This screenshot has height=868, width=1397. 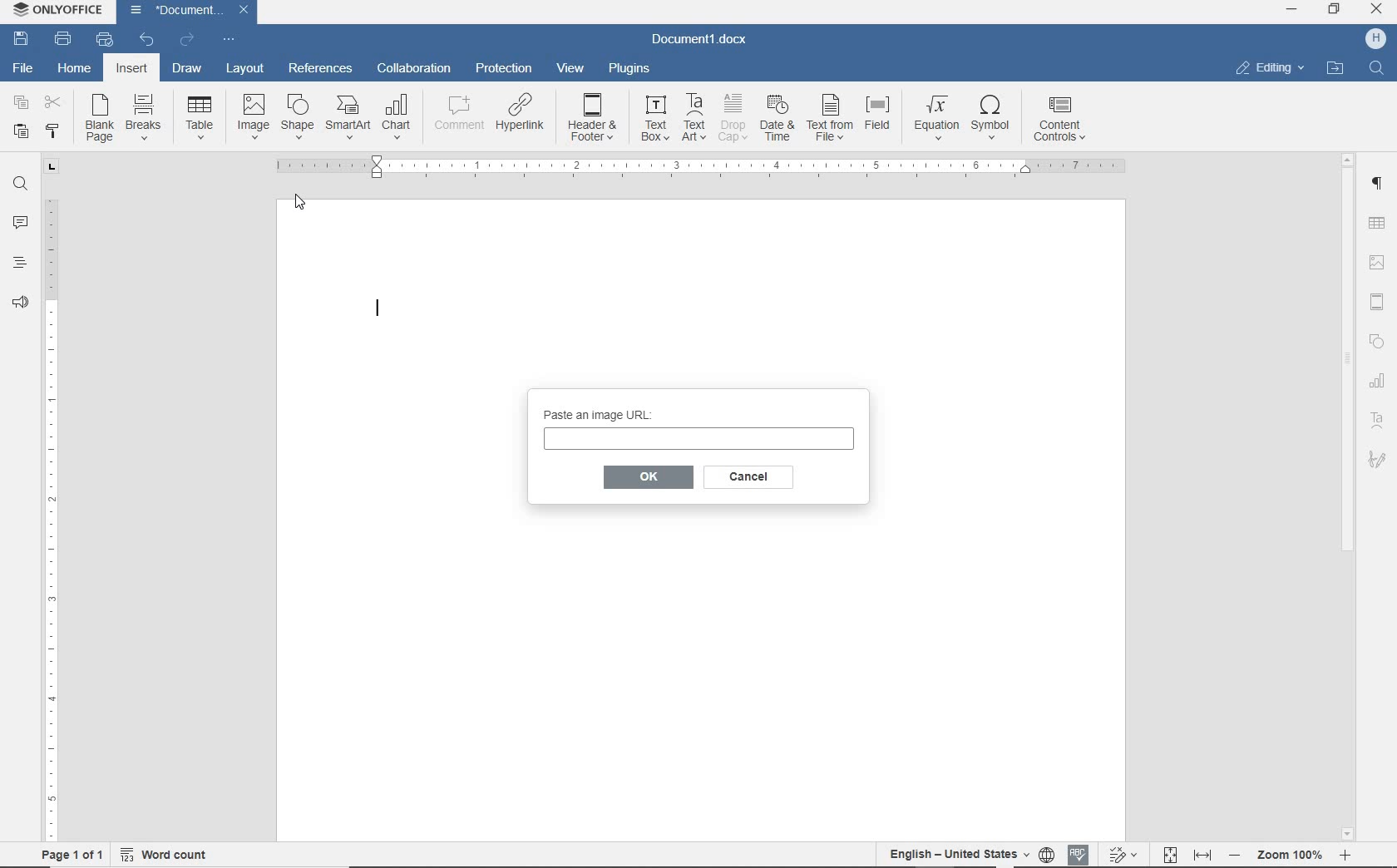 I want to click on Document1.docx(document name), so click(x=698, y=40).